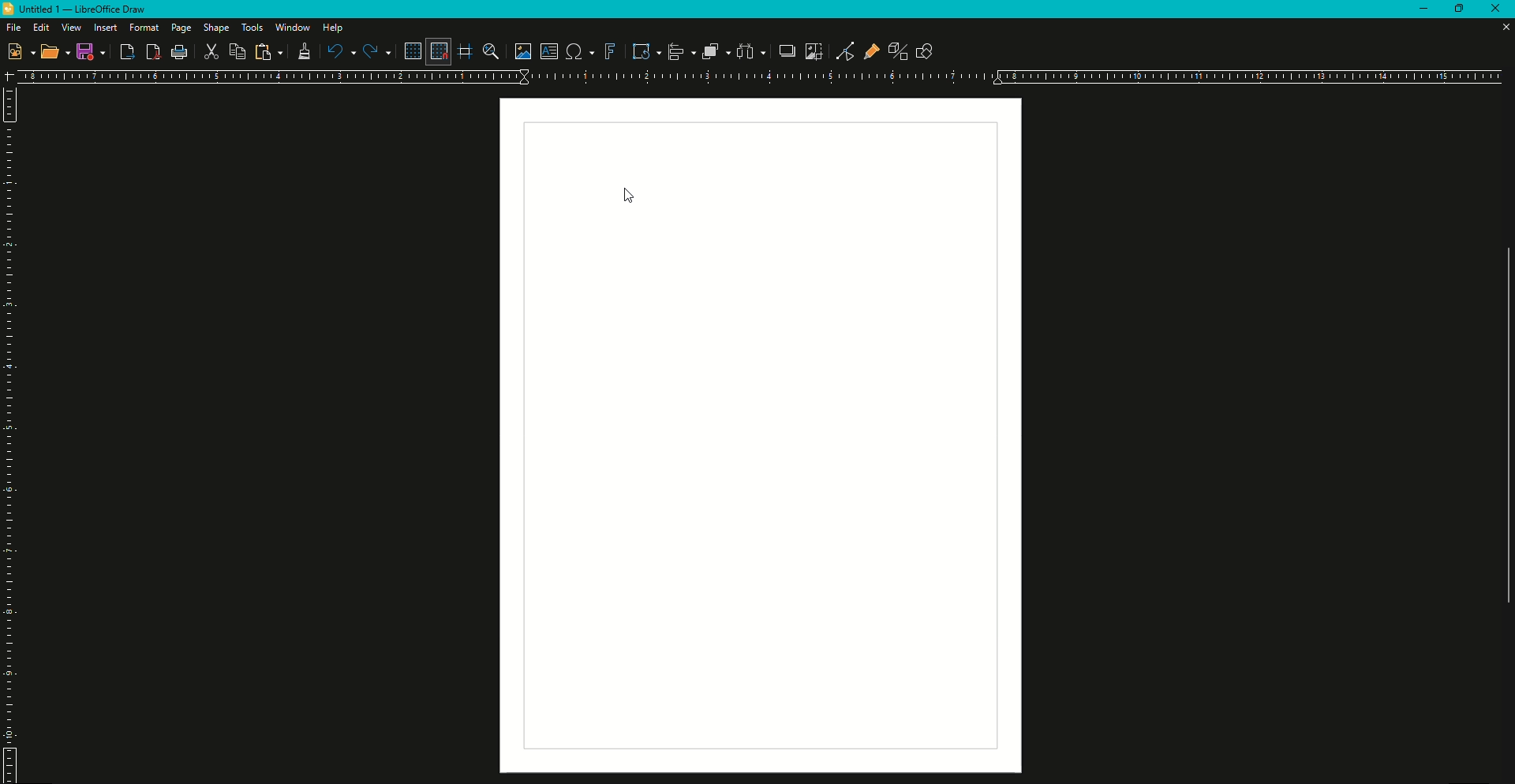 This screenshot has width=1515, height=784. What do you see at coordinates (873, 53) in the screenshot?
I see `Gluepoint and Function` at bounding box center [873, 53].